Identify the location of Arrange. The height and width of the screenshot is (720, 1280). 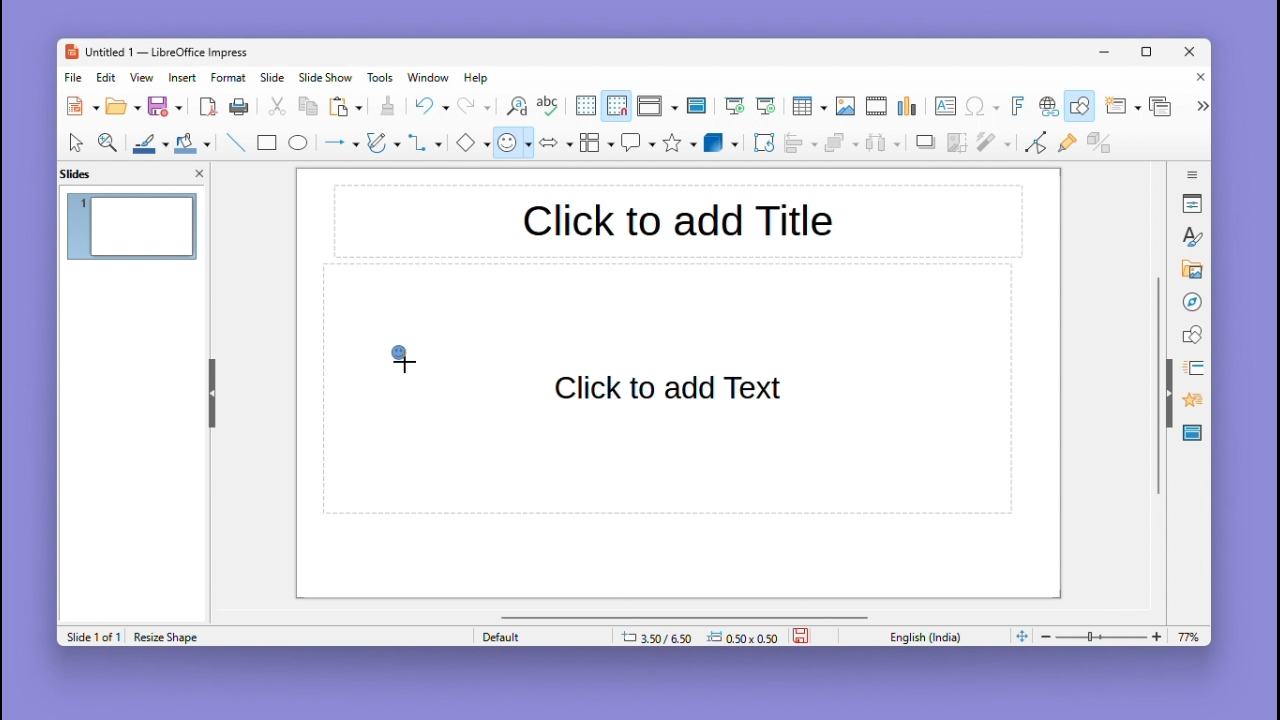
(839, 145).